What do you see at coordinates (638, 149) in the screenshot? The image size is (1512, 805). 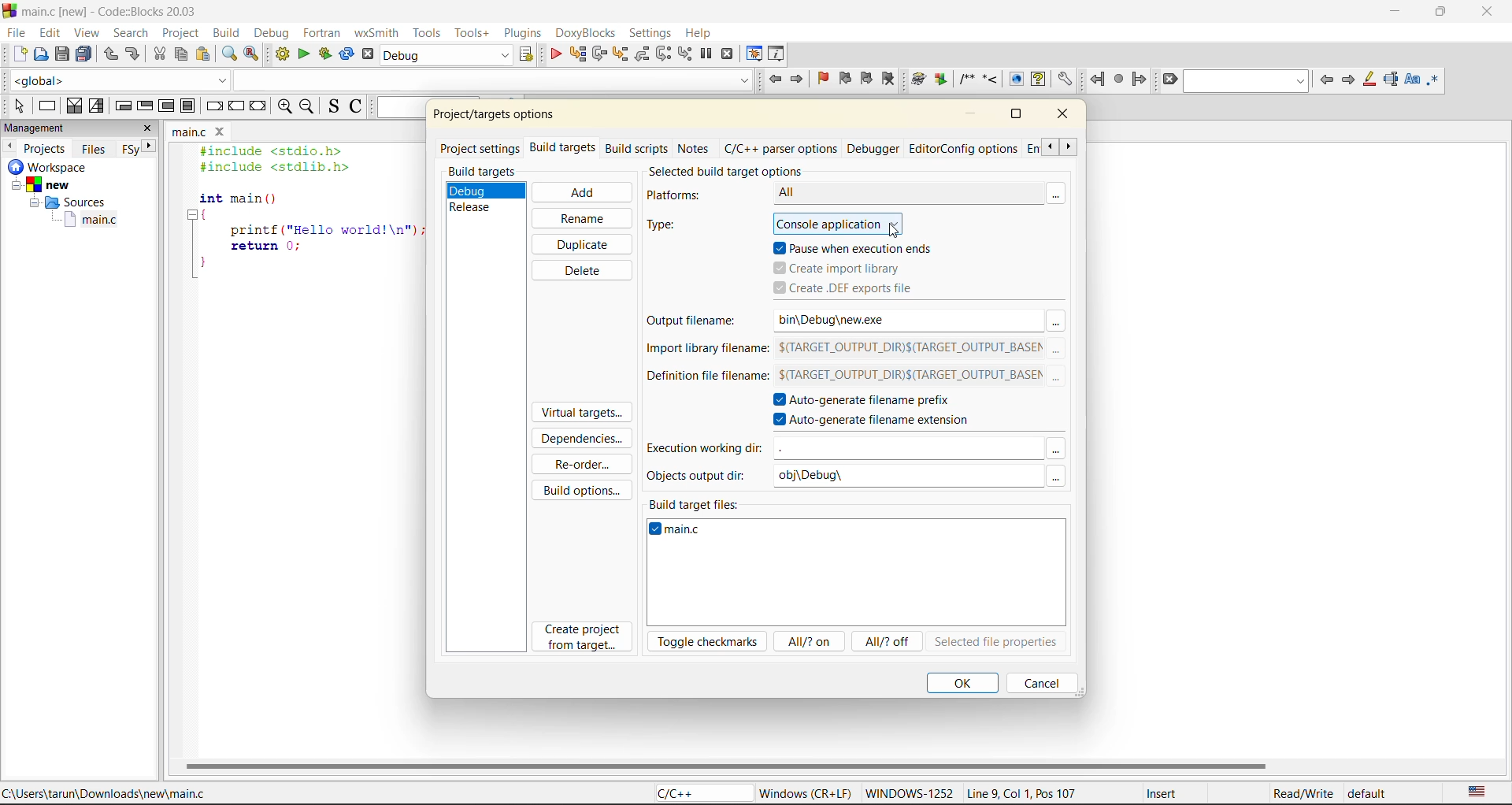 I see `build scripts` at bounding box center [638, 149].